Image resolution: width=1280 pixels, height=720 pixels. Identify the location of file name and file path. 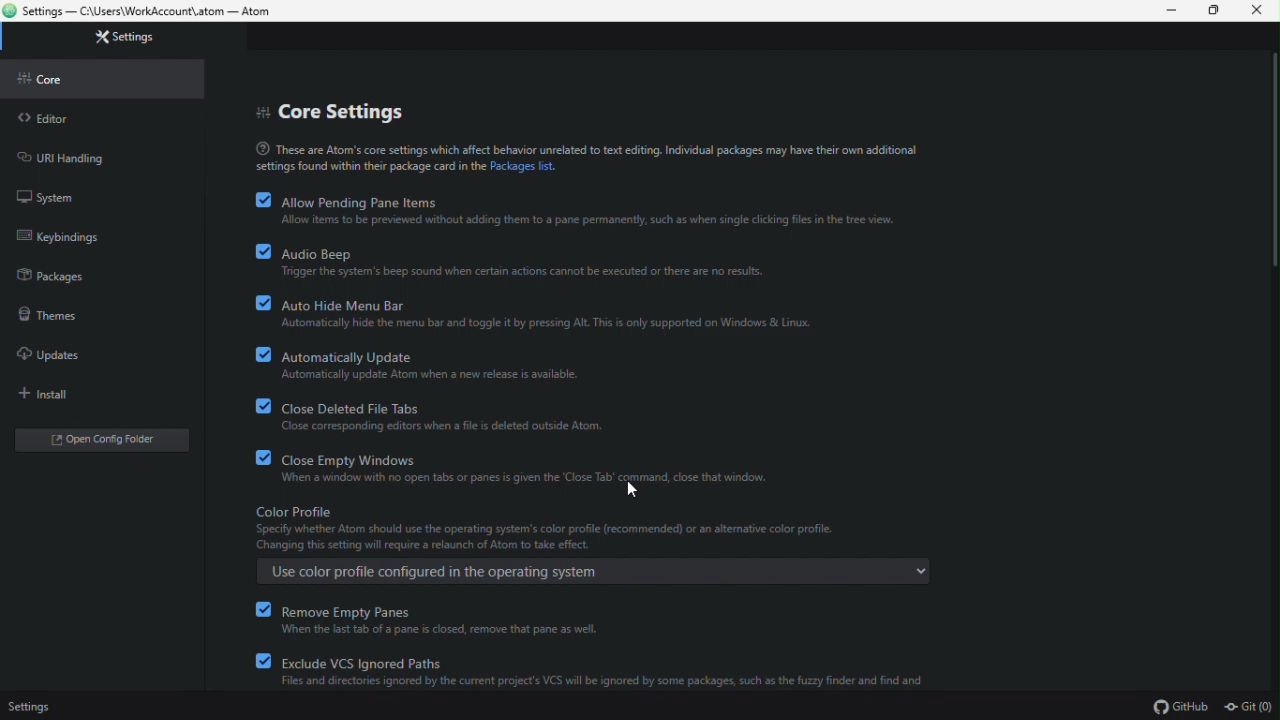
(147, 12).